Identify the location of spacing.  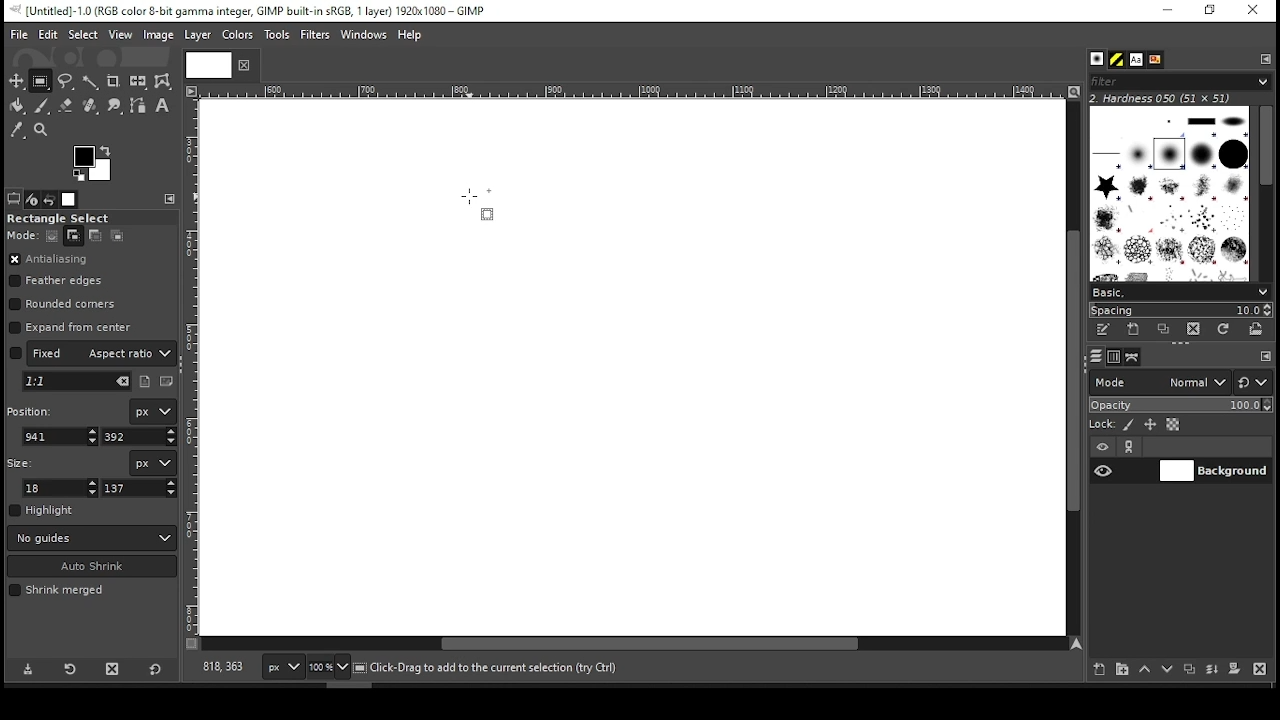
(1180, 310).